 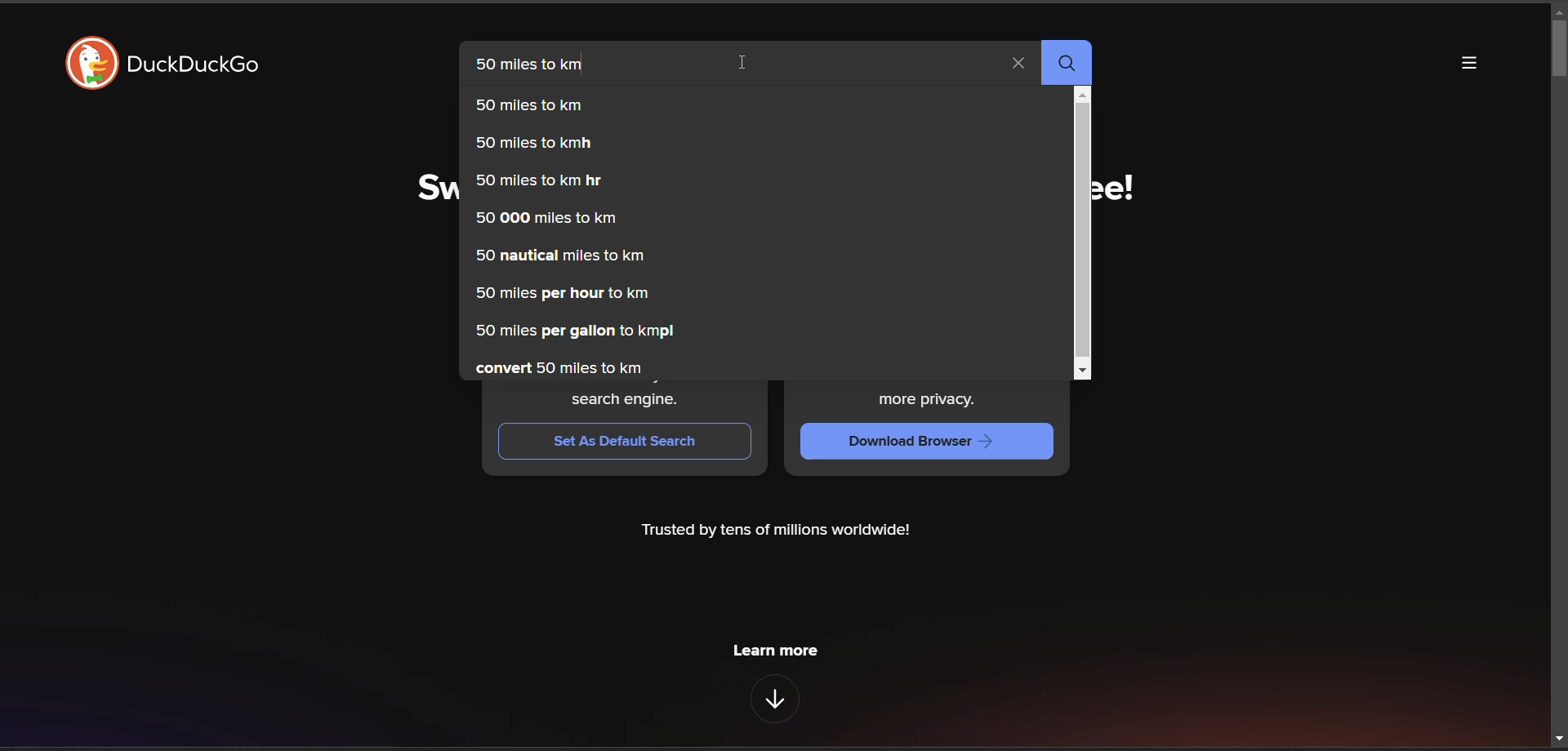 I want to click on DuckDuckGo, so click(x=194, y=65).